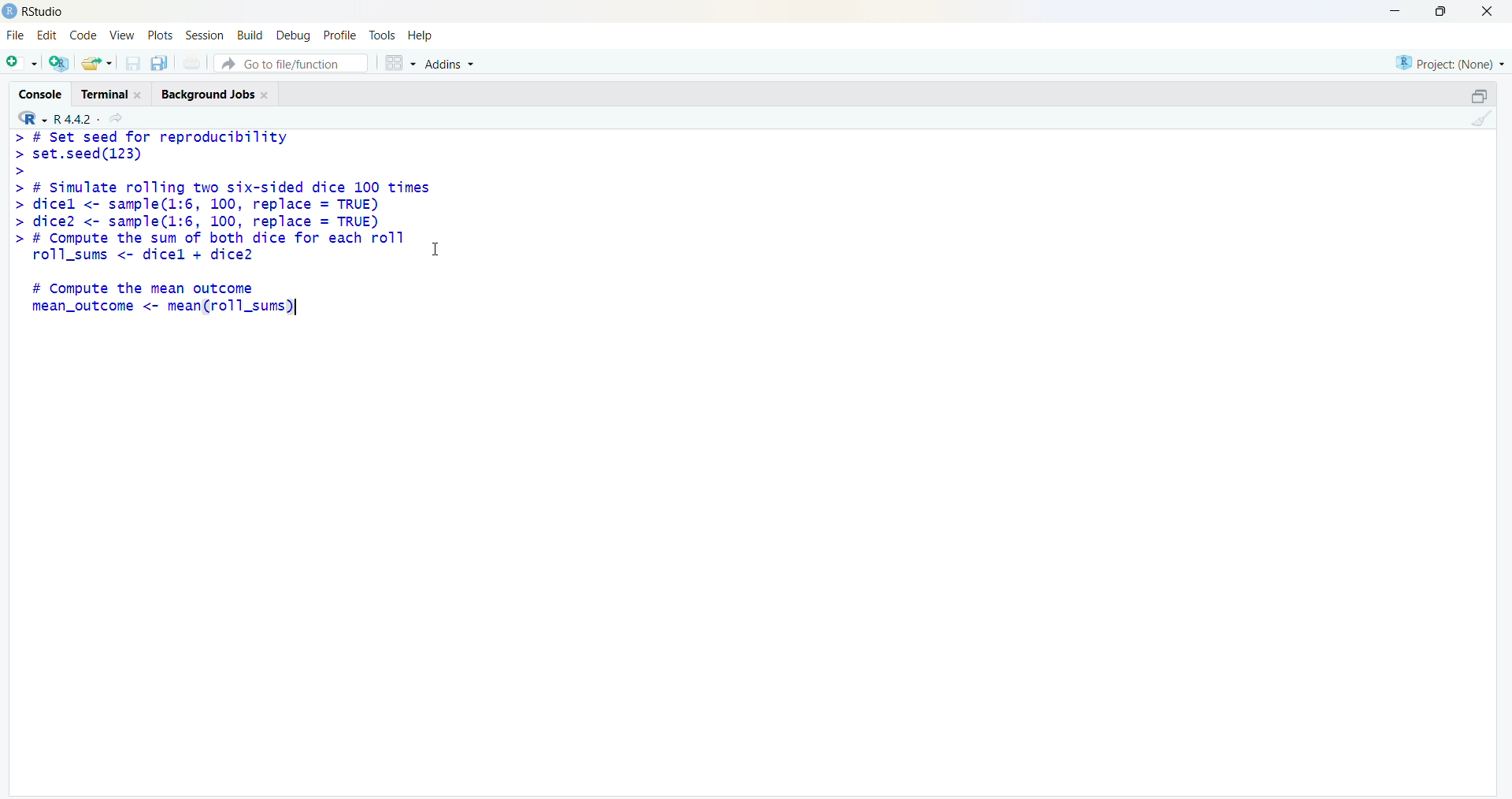 This screenshot has width=1512, height=799. What do you see at coordinates (192, 62) in the screenshot?
I see `print` at bounding box center [192, 62].